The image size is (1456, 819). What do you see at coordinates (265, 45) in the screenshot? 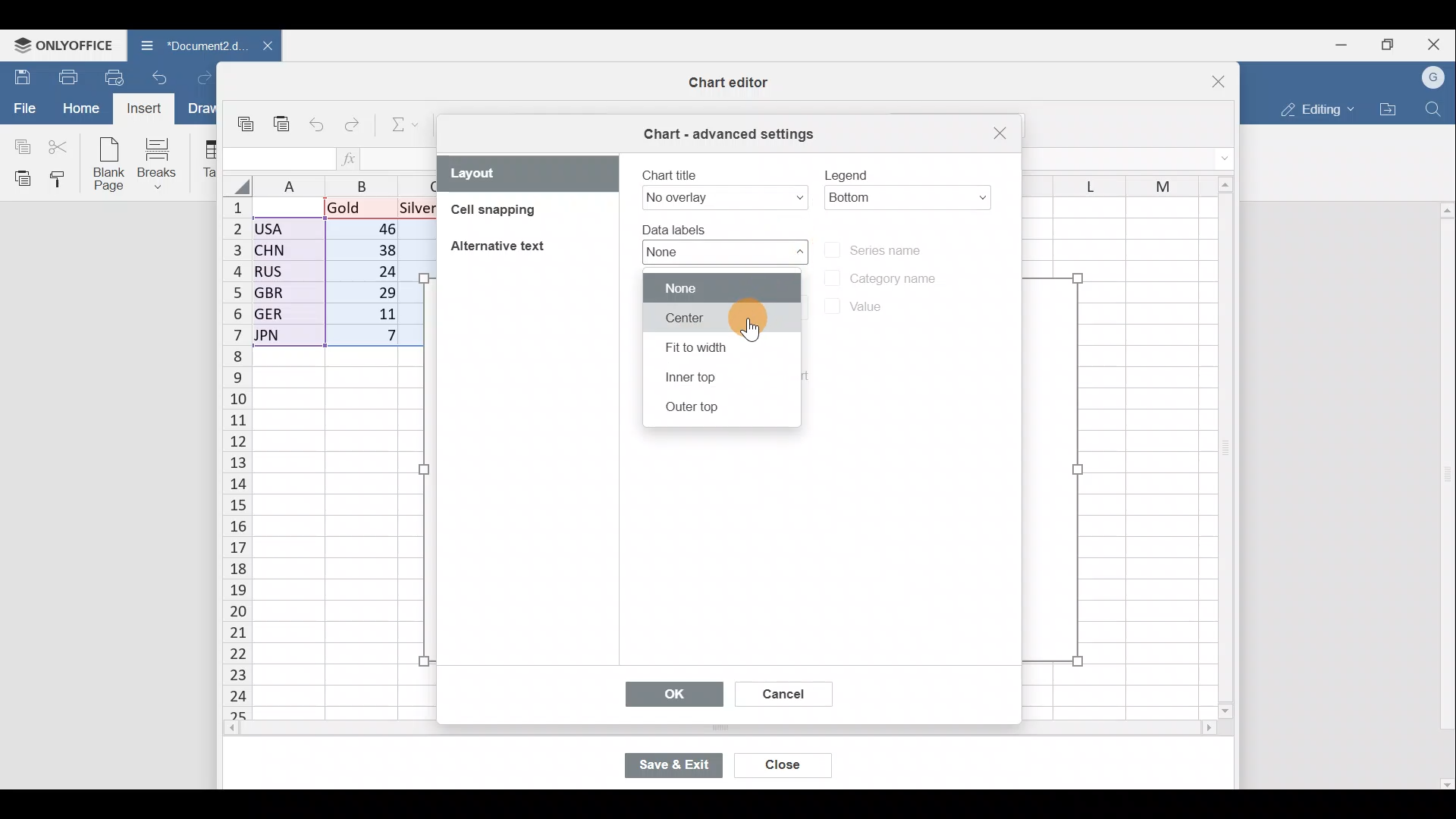
I see `Close document` at bounding box center [265, 45].